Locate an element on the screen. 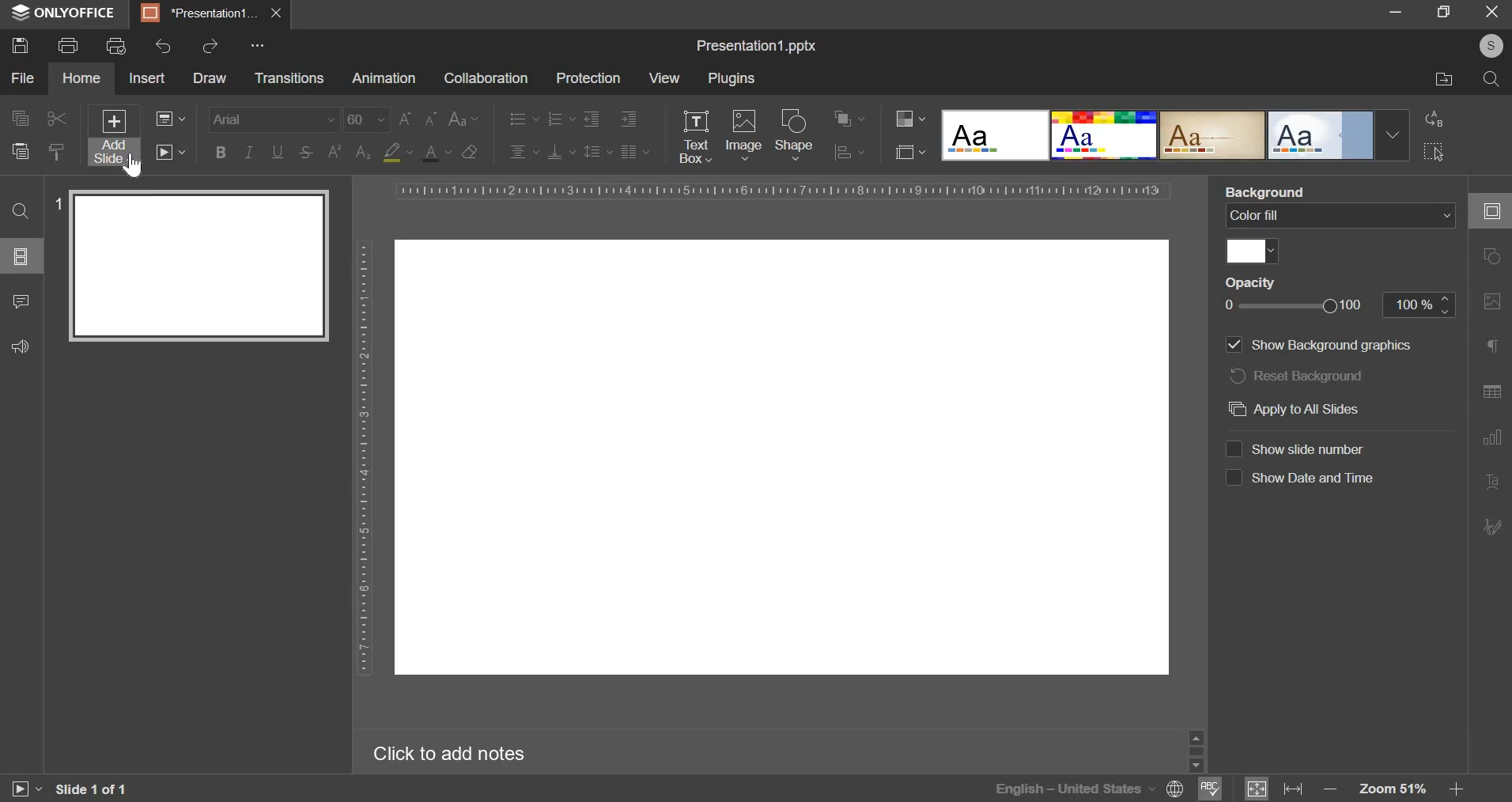 The width and height of the screenshot is (1512, 802). cut is located at coordinates (58, 119).